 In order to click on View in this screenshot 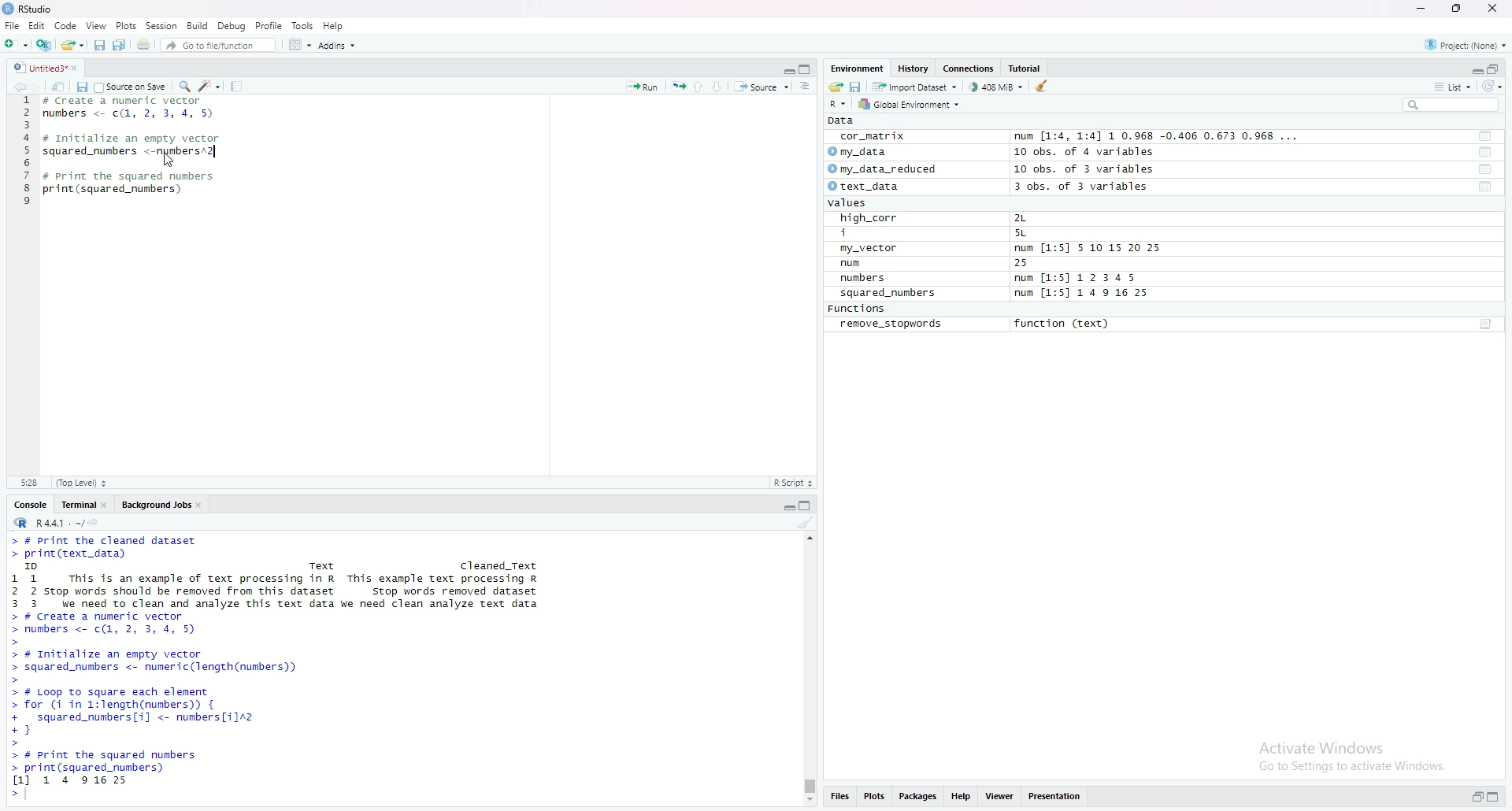, I will do `click(96, 25)`.